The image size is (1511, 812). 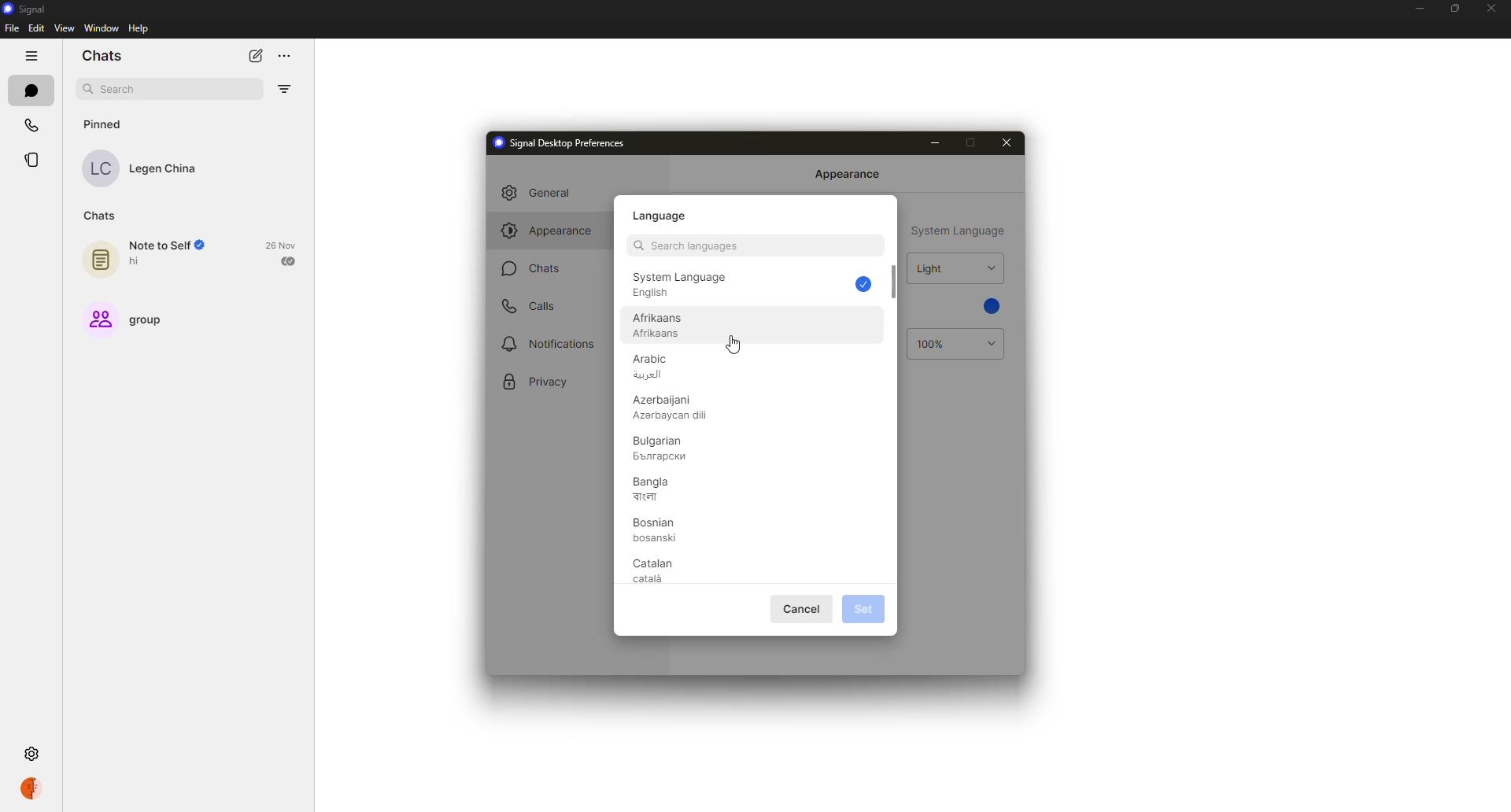 I want to click on set, so click(x=861, y=609).